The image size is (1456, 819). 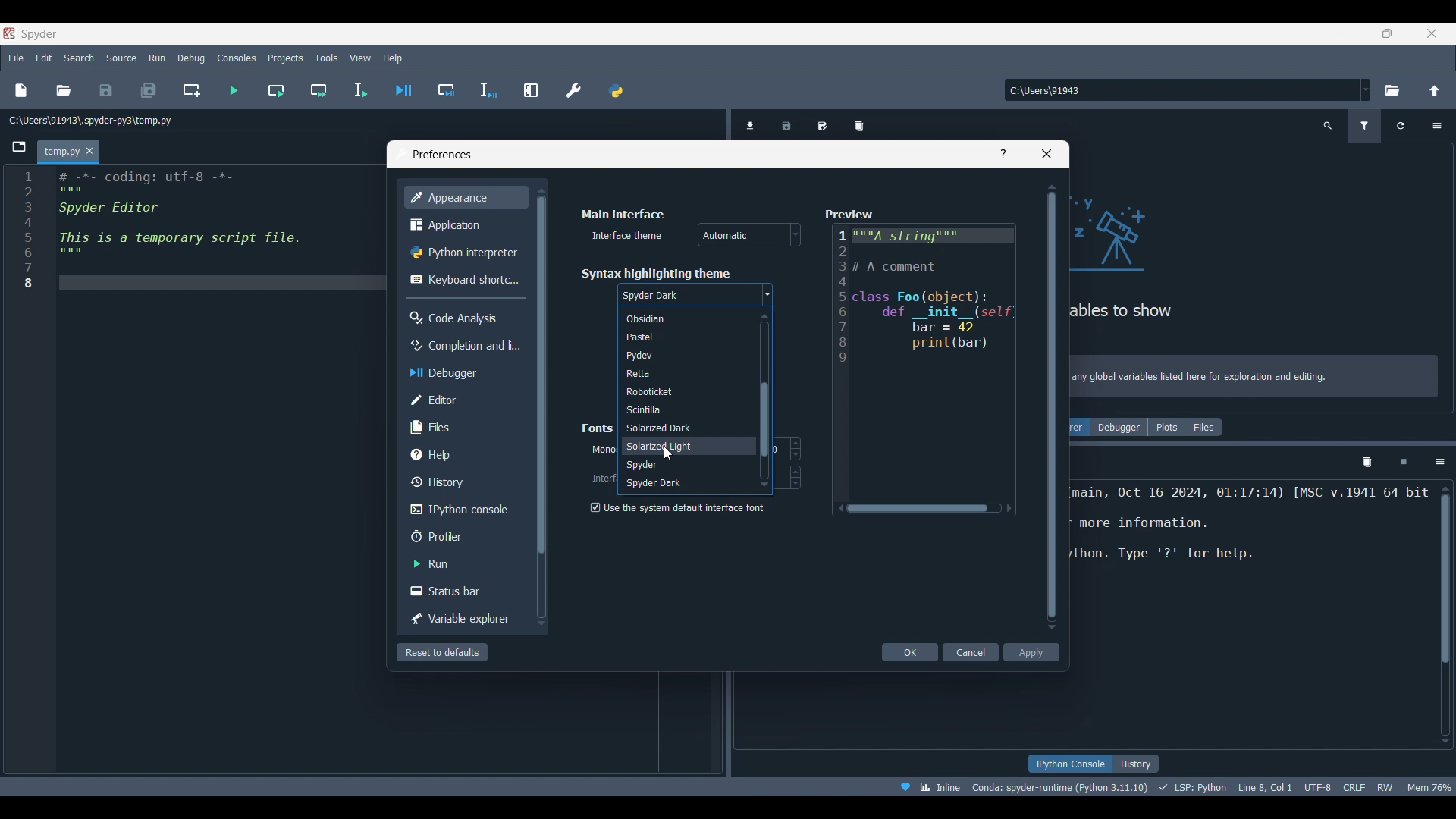 I want to click on Profiler, so click(x=463, y=536).